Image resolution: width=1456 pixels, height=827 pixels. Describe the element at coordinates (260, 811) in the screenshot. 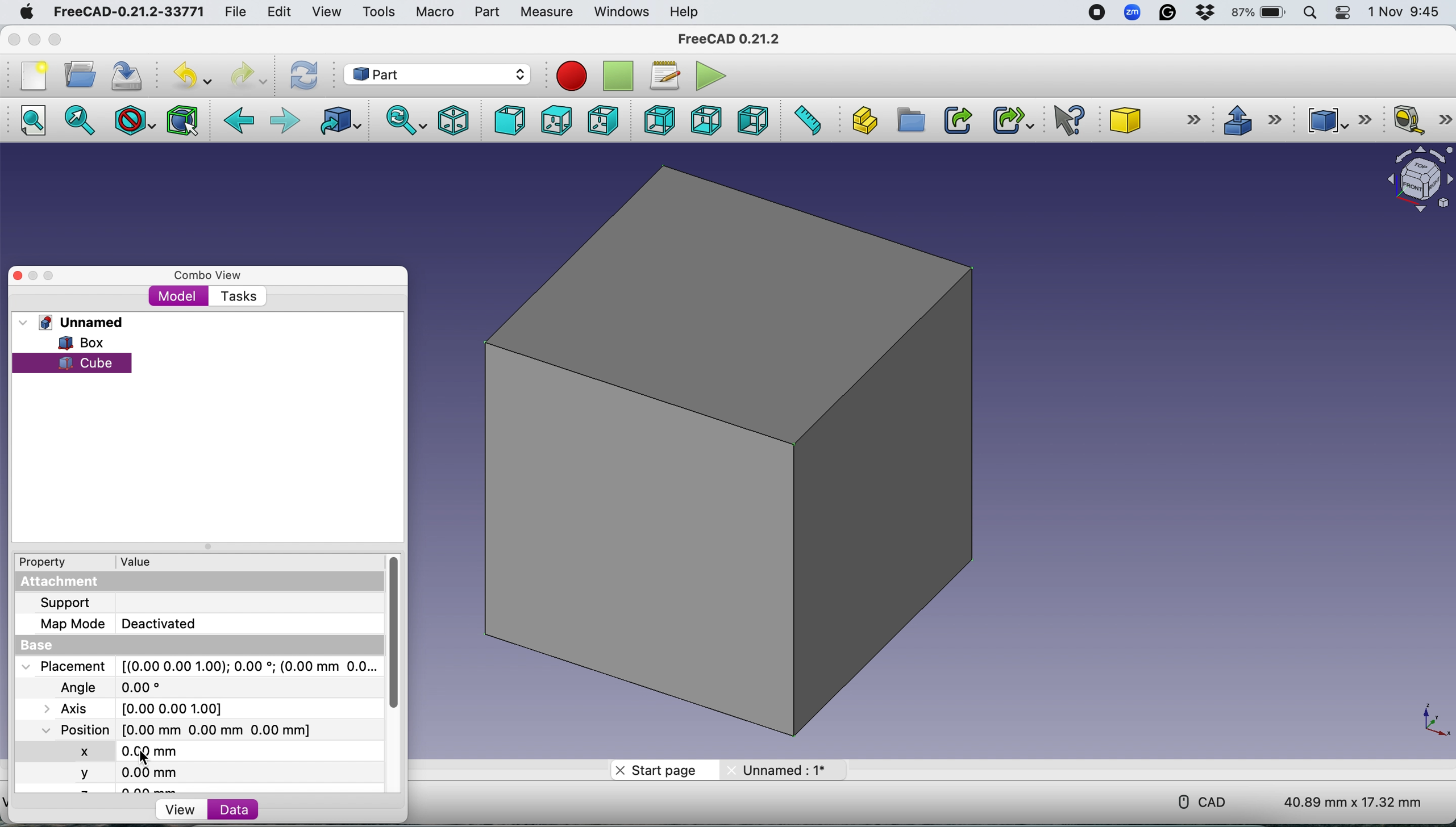

I see `Data` at that location.